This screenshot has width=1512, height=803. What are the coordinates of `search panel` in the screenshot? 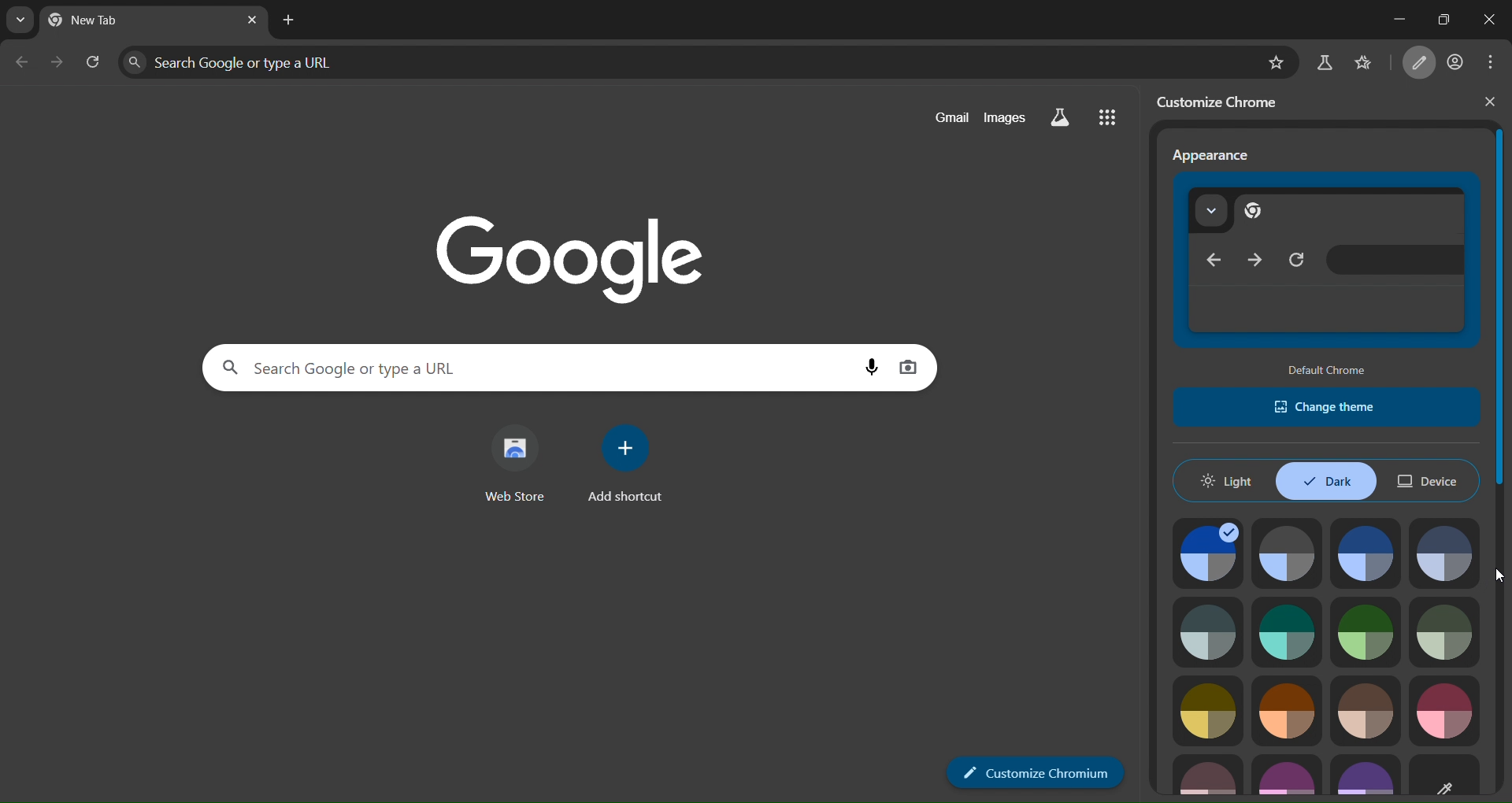 It's located at (256, 61).